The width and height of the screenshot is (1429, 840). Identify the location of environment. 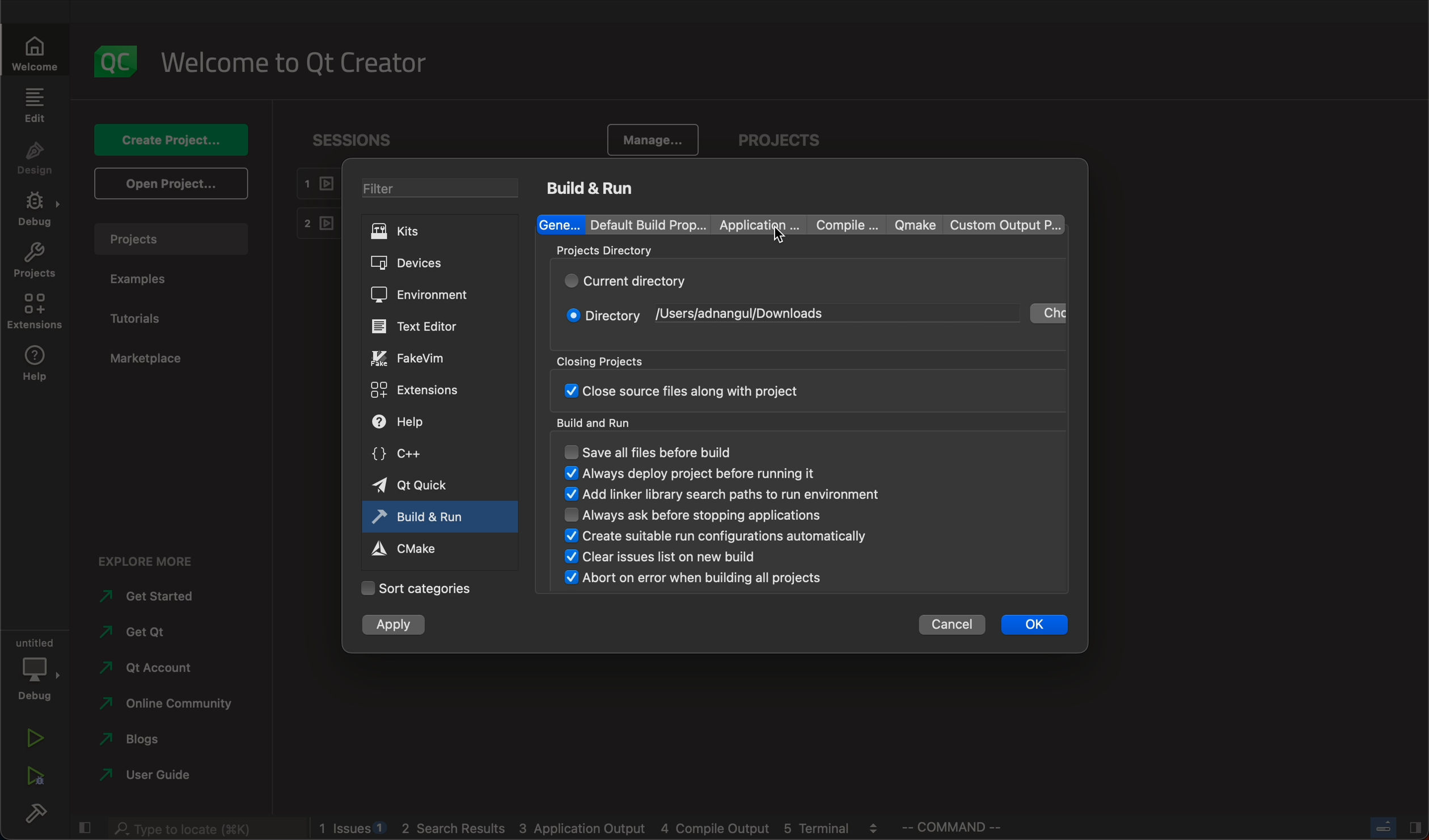
(430, 294).